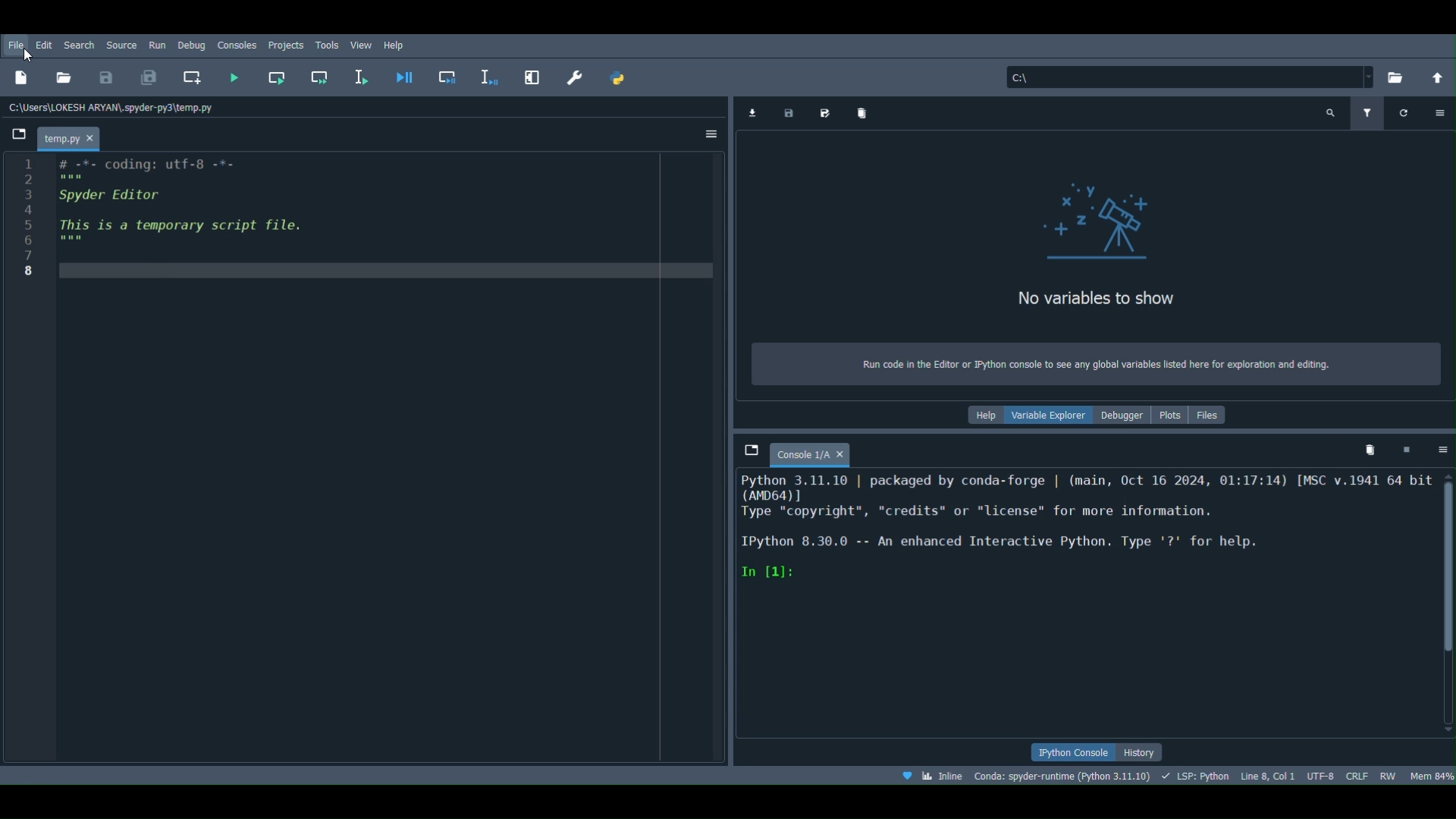 This screenshot has height=819, width=1456. I want to click on Plots, so click(1170, 416).